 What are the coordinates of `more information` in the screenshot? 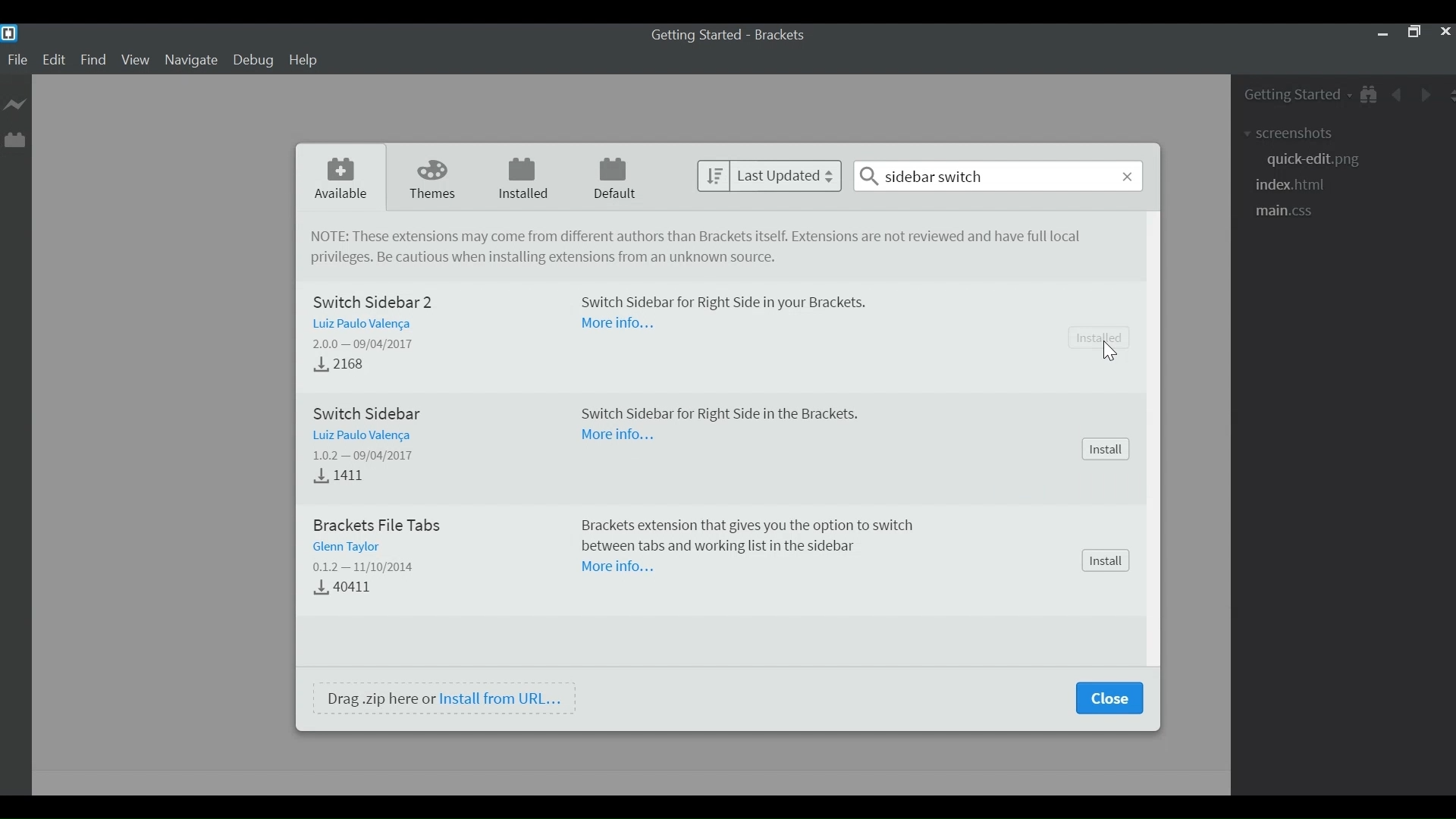 It's located at (621, 436).